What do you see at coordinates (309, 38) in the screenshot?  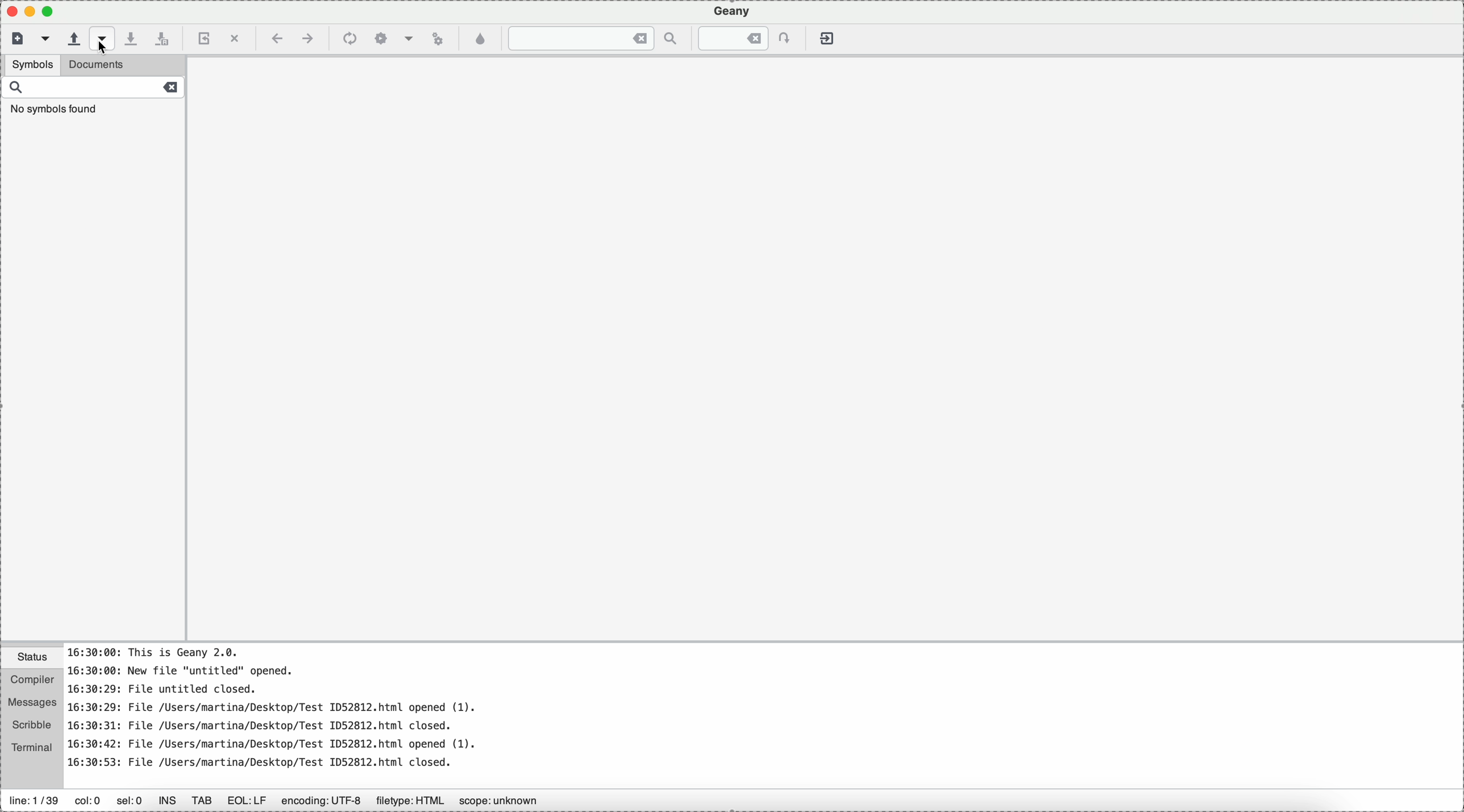 I see `navigate foward` at bounding box center [309, 38].